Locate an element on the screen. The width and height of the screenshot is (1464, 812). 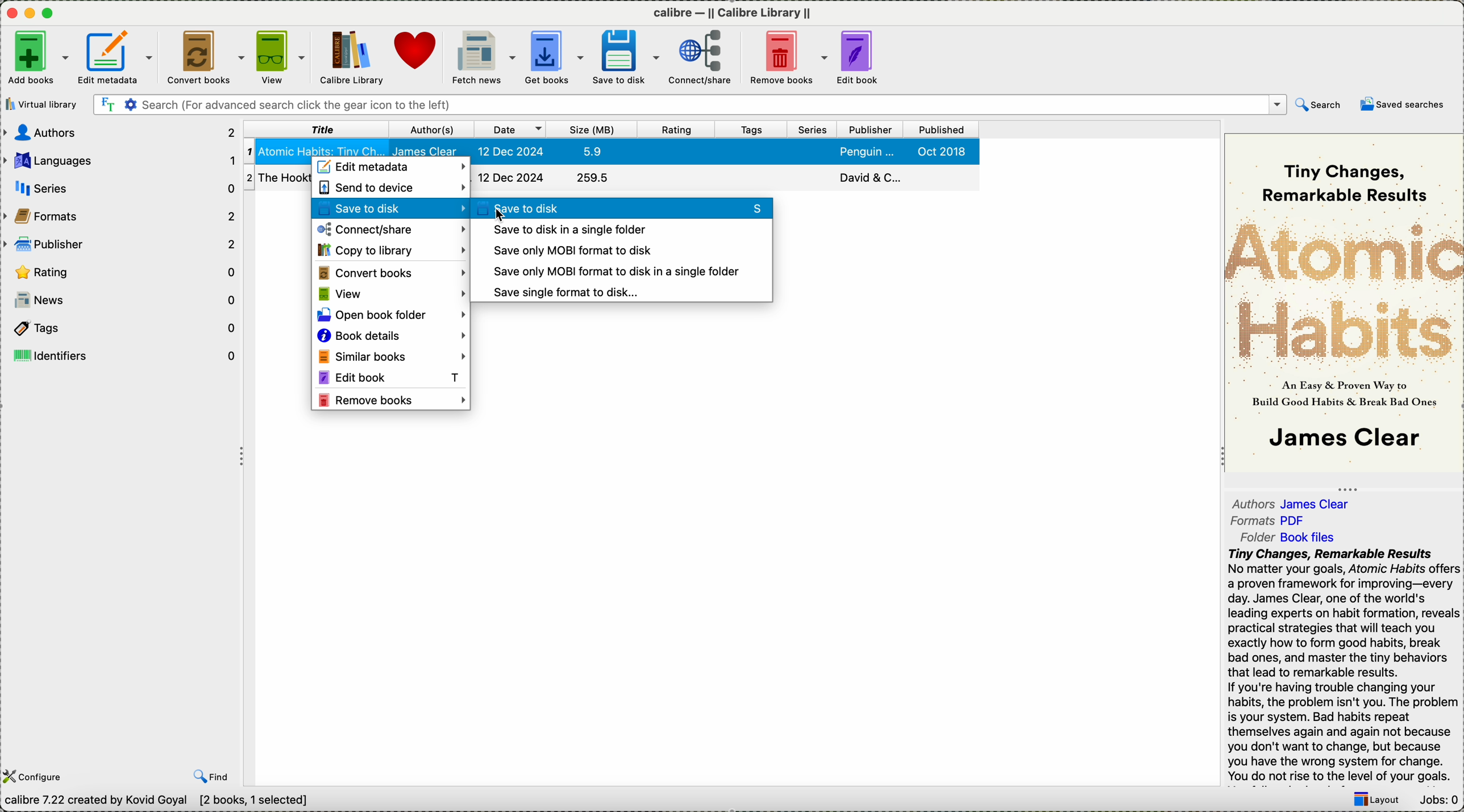
published is located at coordinates (942, 130).